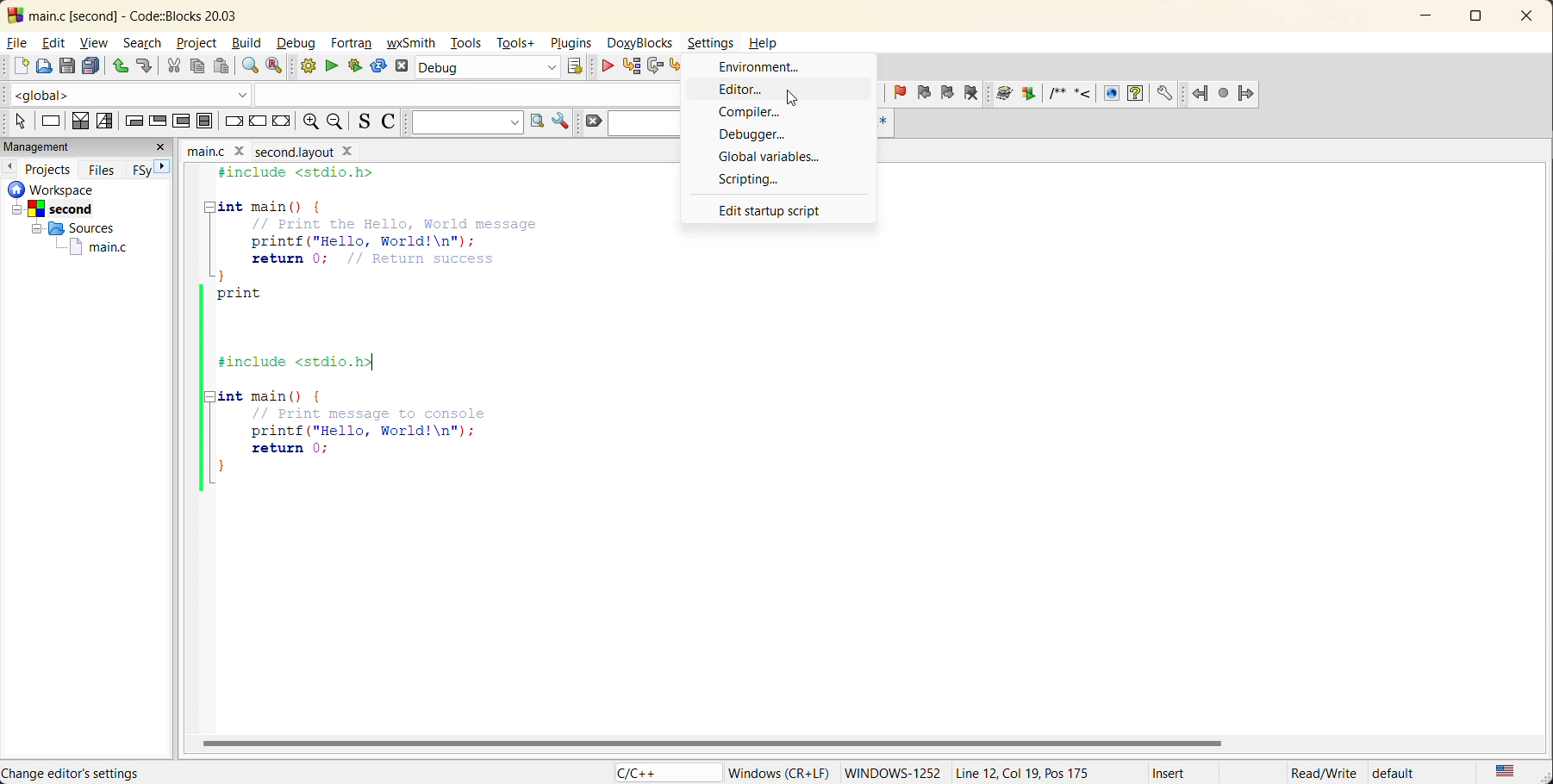  I want to click on Help, so click(769, 44).